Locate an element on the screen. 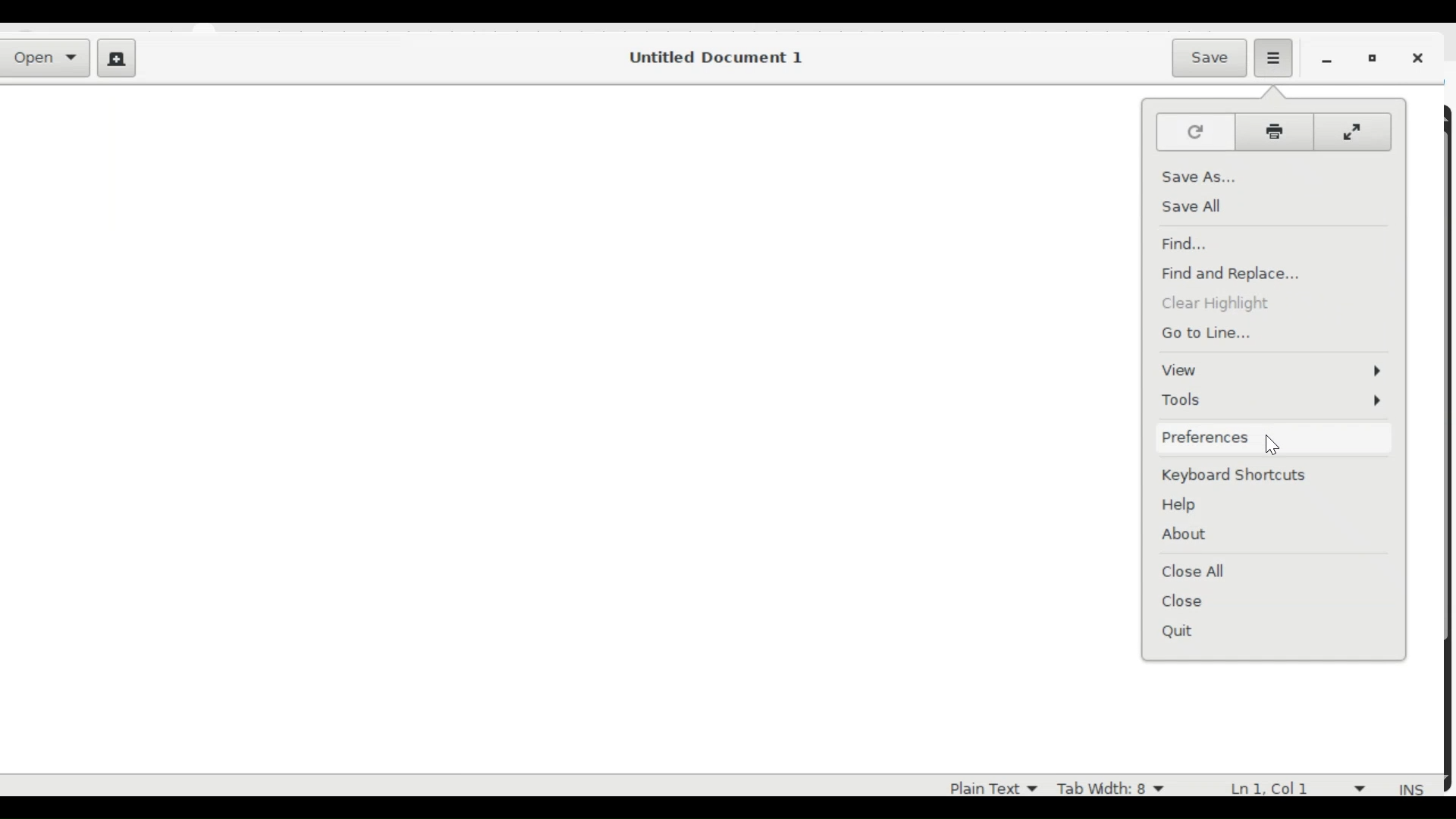  Print is located at coordinates (1273, 132).